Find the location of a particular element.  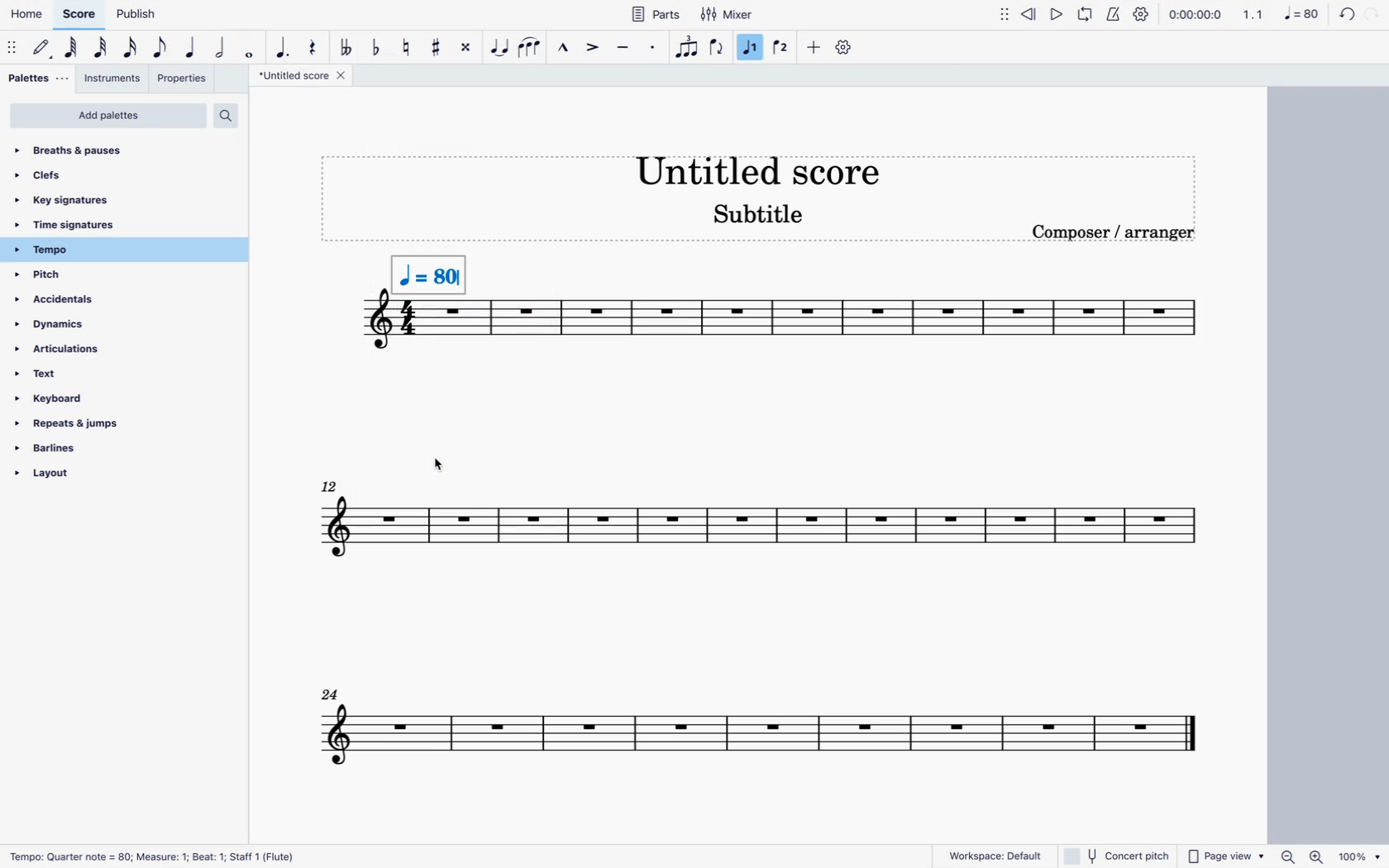

time signatures is located at coordinates (118, 225).